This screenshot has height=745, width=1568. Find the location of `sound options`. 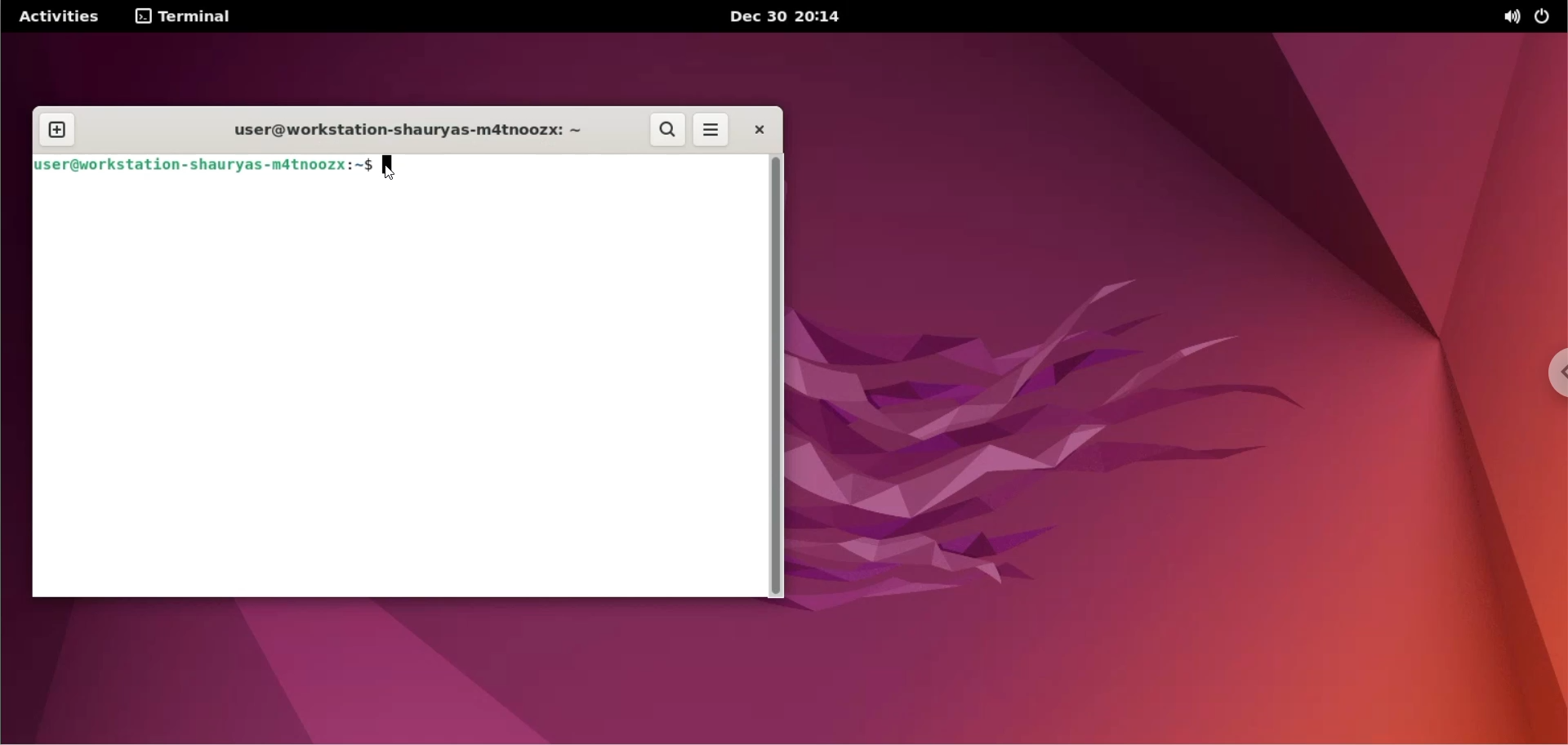

sound options is located at coordinates (1511, 16).